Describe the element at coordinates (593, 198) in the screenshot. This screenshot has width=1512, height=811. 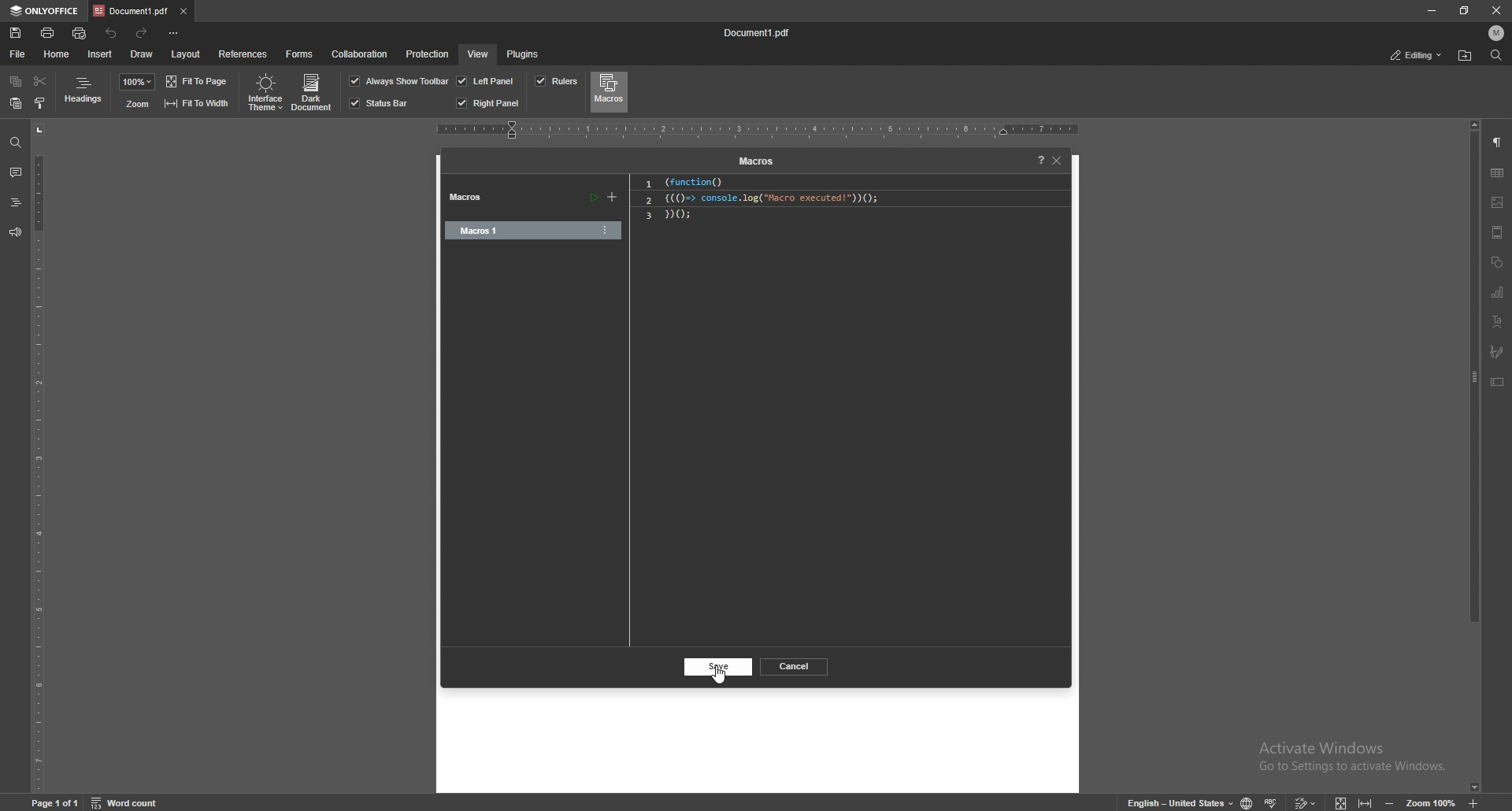
I see `run macro` at that location.